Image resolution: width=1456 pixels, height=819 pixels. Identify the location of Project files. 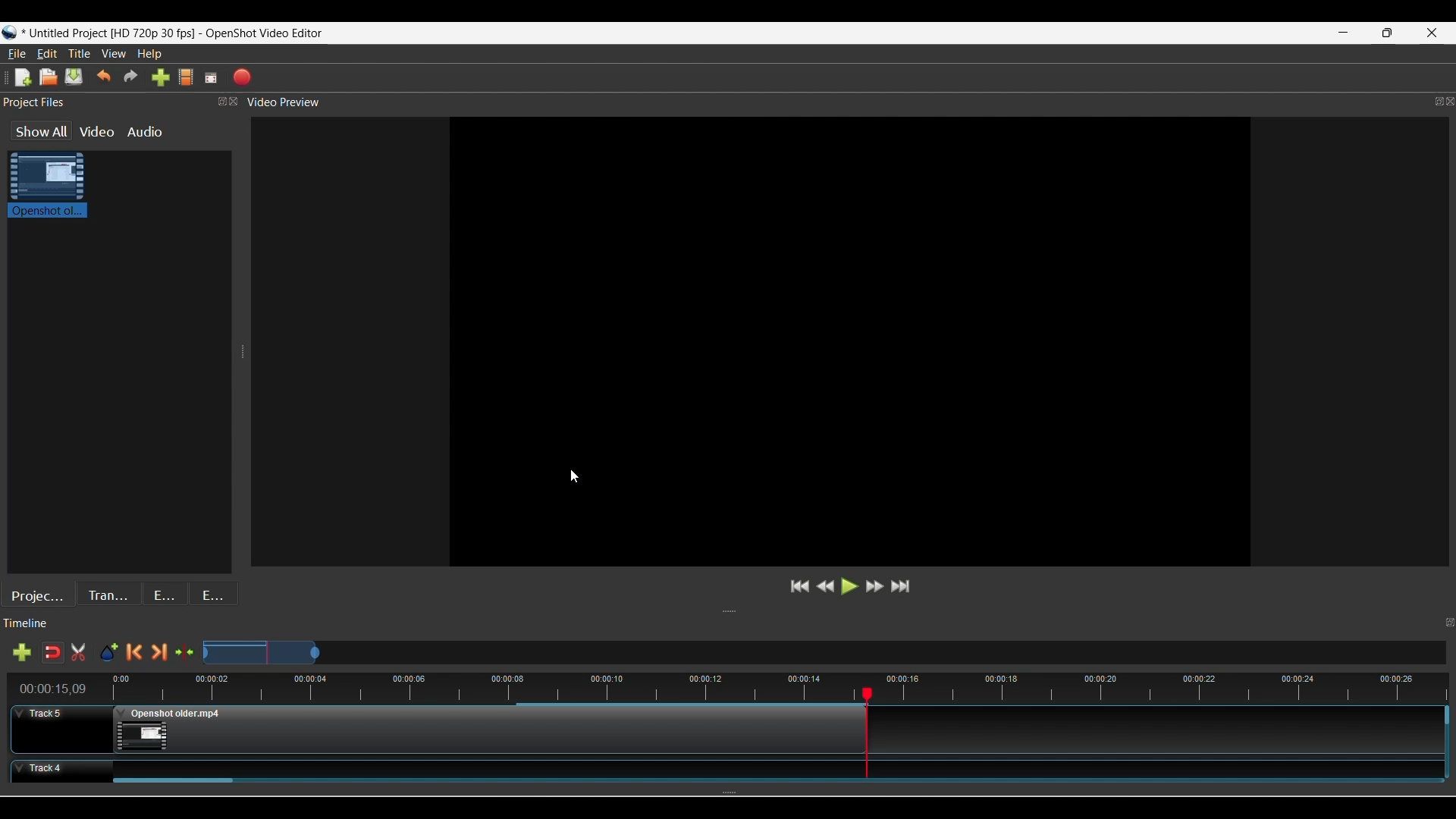
(38, 594).